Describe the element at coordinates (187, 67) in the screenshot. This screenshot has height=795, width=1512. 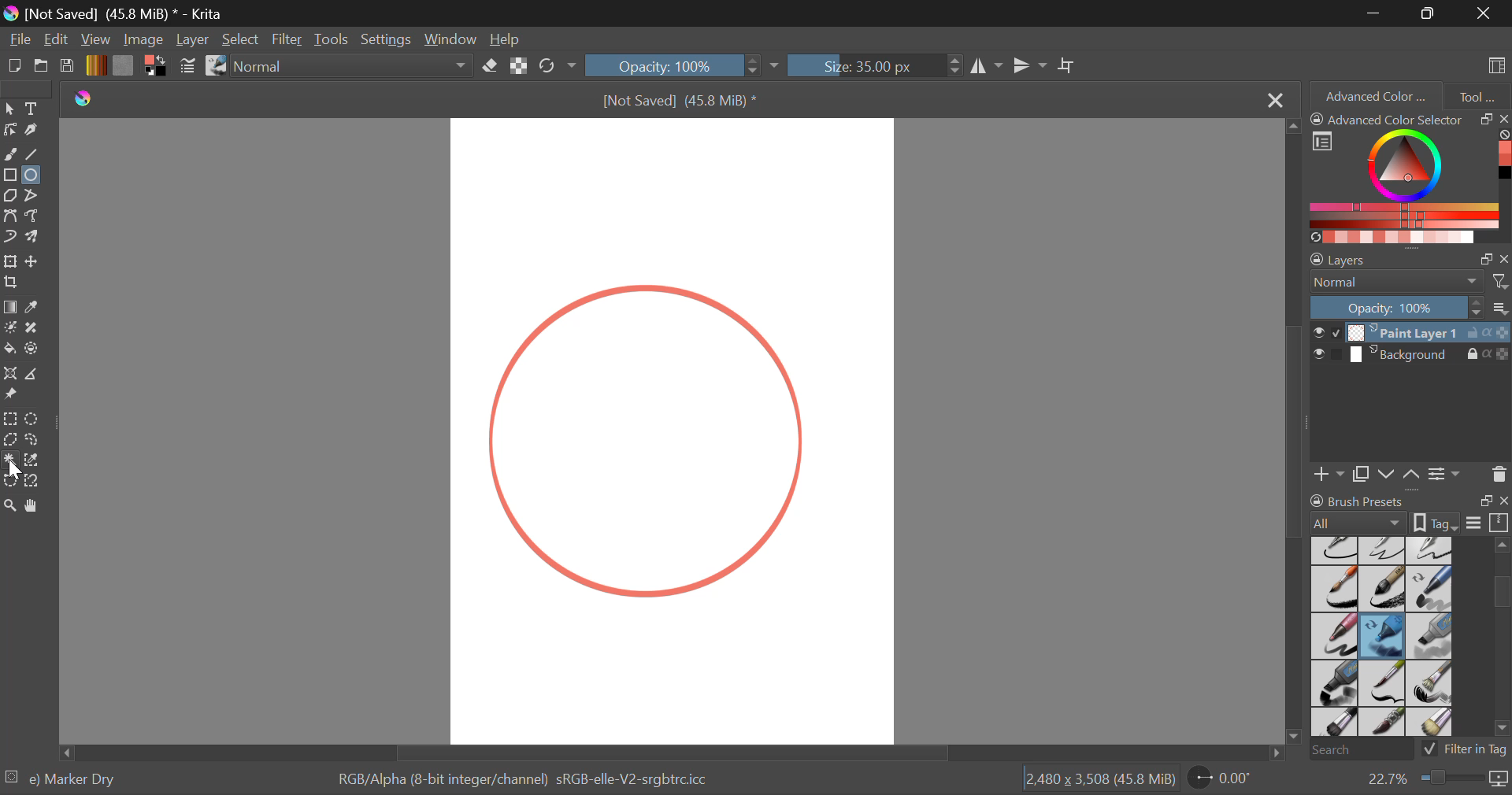
I see `Brush Settings` at that location.